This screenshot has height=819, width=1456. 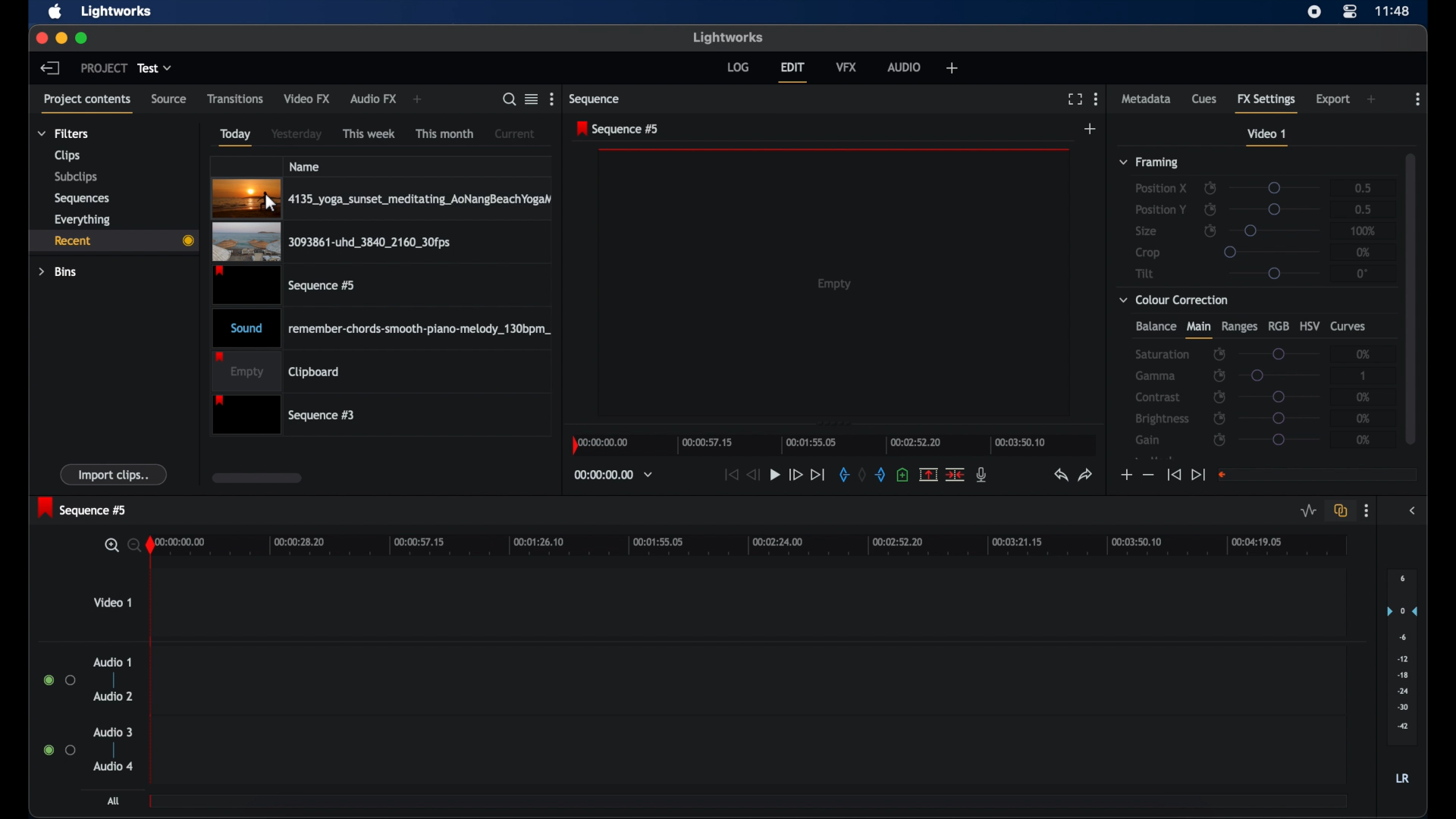 I want to click on 1, so click(x=1362, y=375).